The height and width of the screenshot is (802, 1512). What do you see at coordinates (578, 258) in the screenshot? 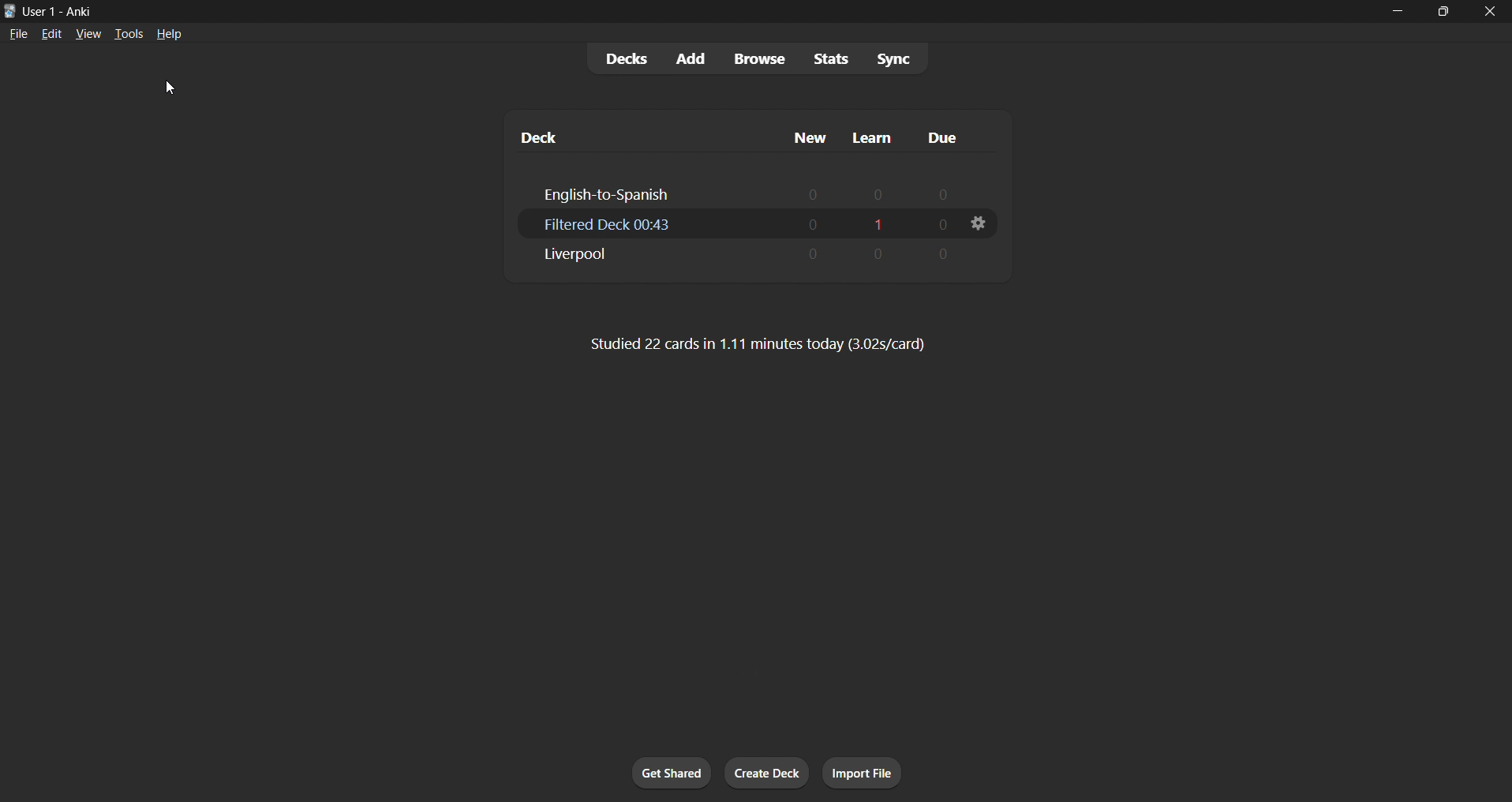
I see `Liverpool` at bounding box center [578, 258].